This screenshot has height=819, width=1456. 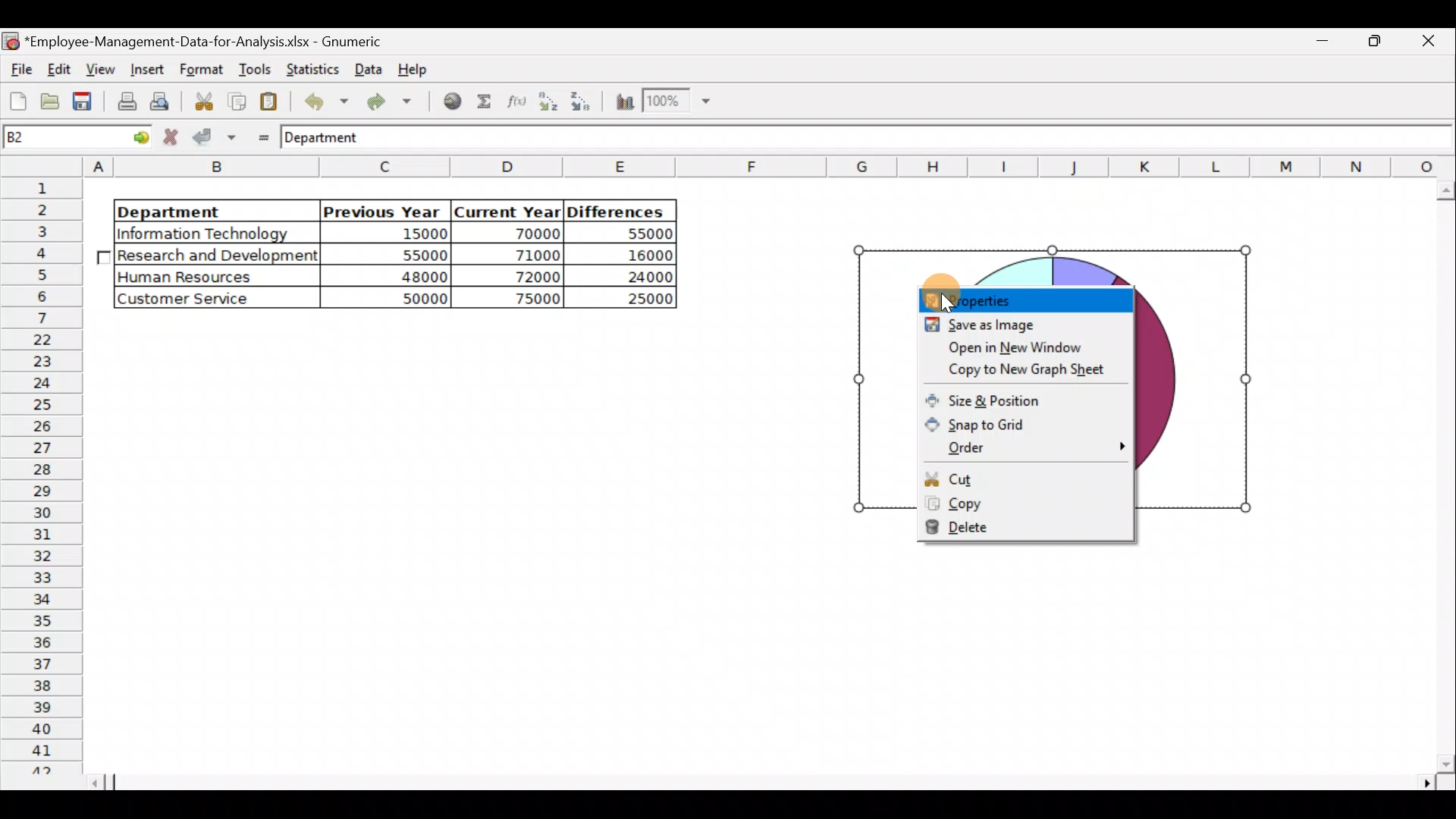 What do you see at coordinates (402, 297) in the screenshot?
I see `50000` at bounding box center [402, 297].